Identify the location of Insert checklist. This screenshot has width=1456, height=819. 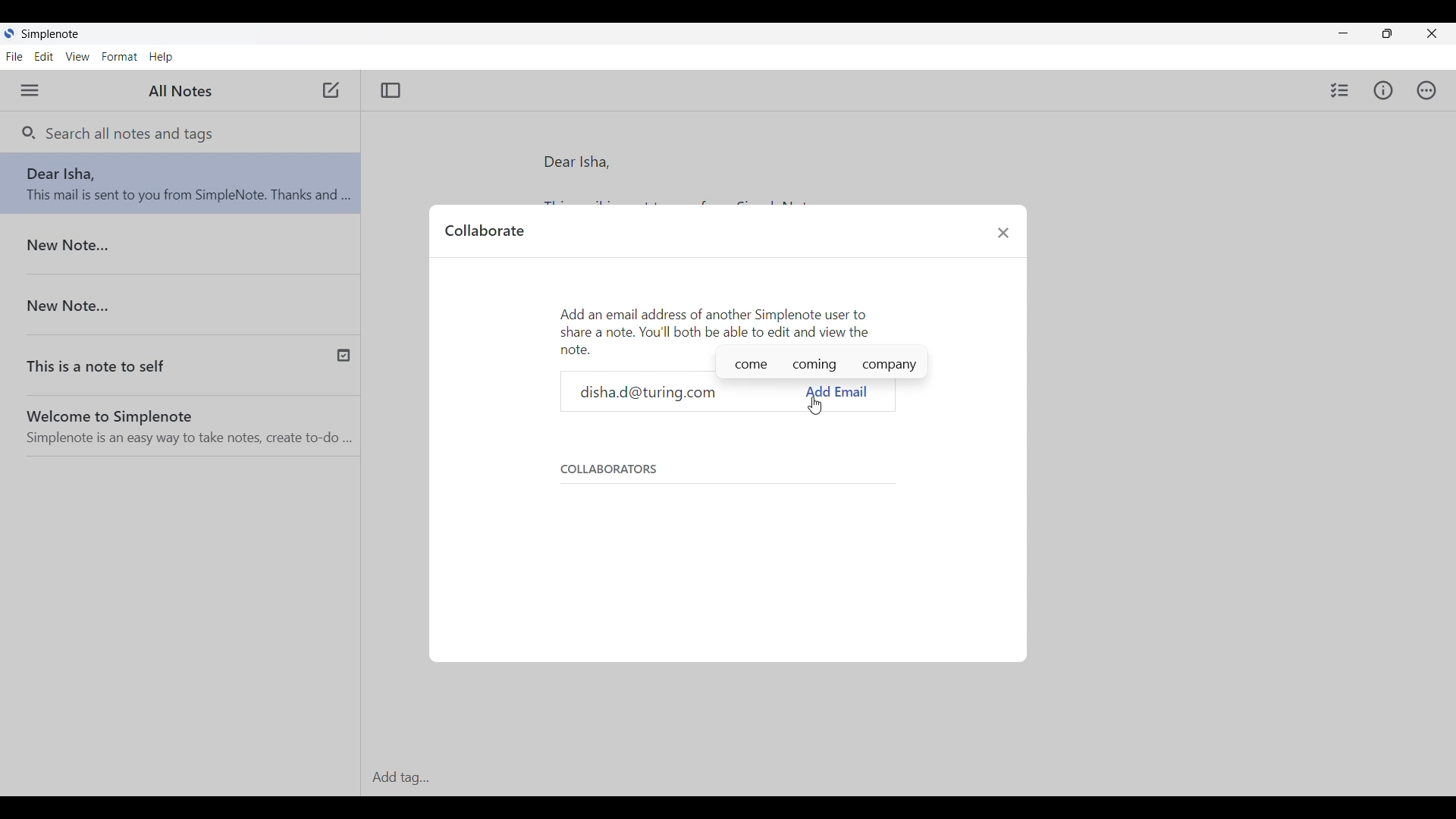
(1340, 89).